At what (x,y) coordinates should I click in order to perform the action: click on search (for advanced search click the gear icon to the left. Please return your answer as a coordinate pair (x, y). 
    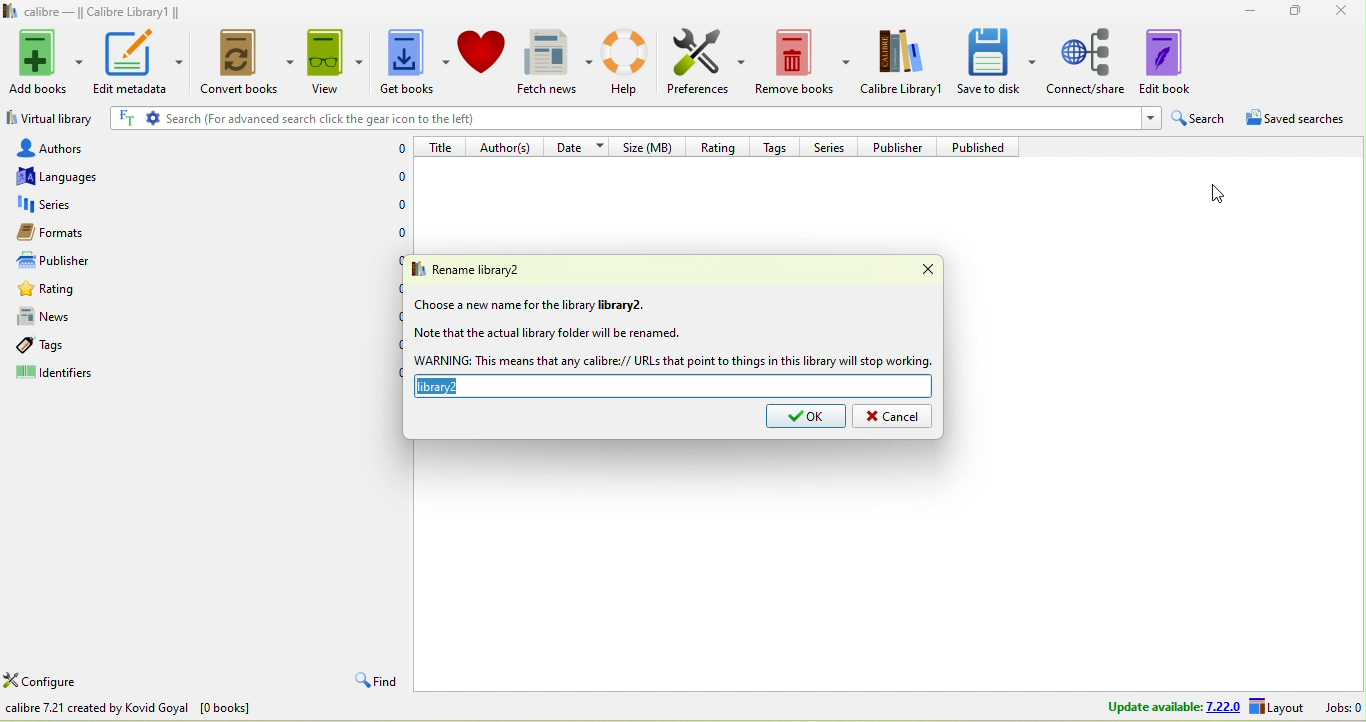
    Looking at the image, I should click on (631, 120).